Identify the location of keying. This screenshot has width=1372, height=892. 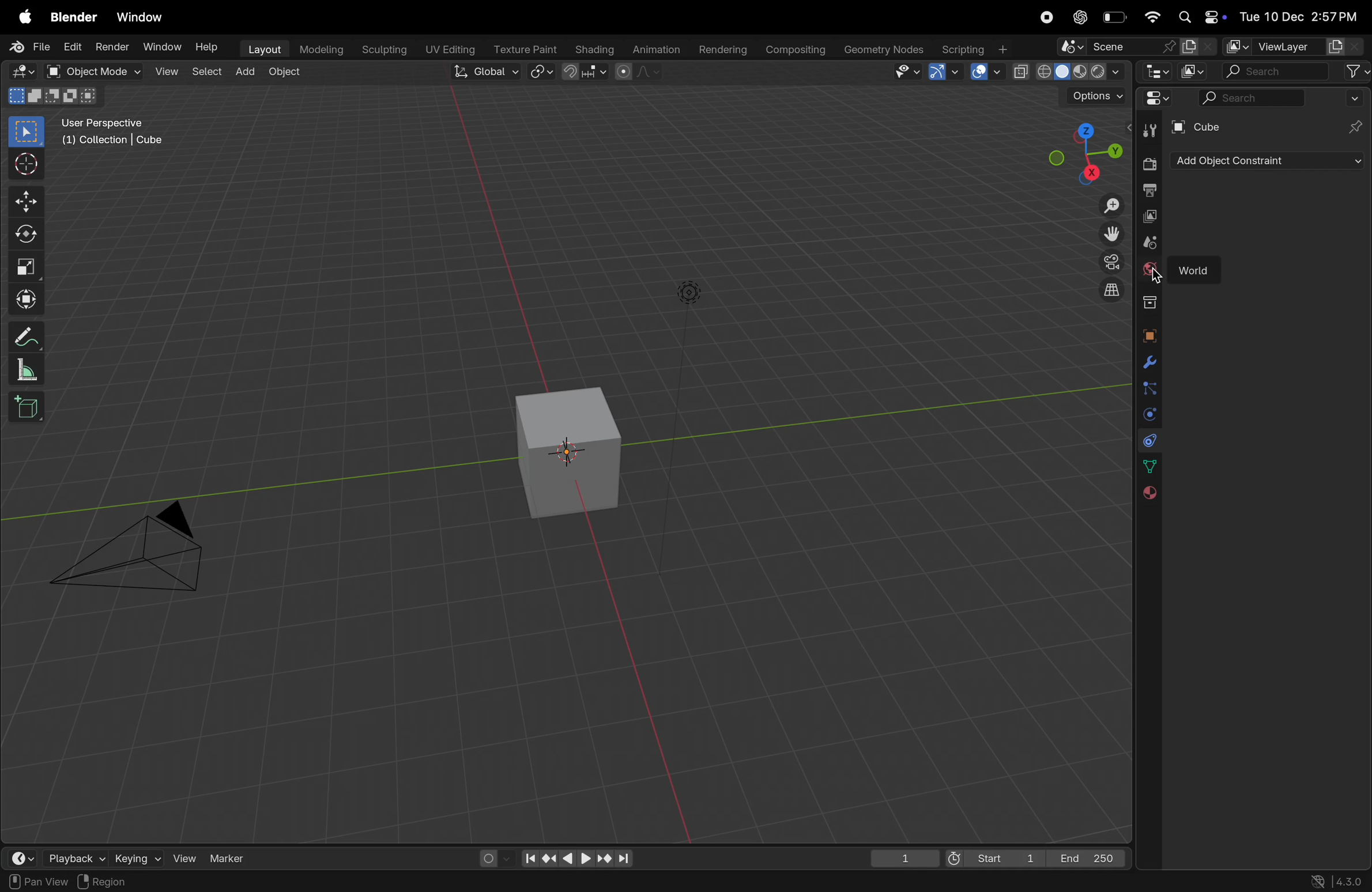
(136, 856).